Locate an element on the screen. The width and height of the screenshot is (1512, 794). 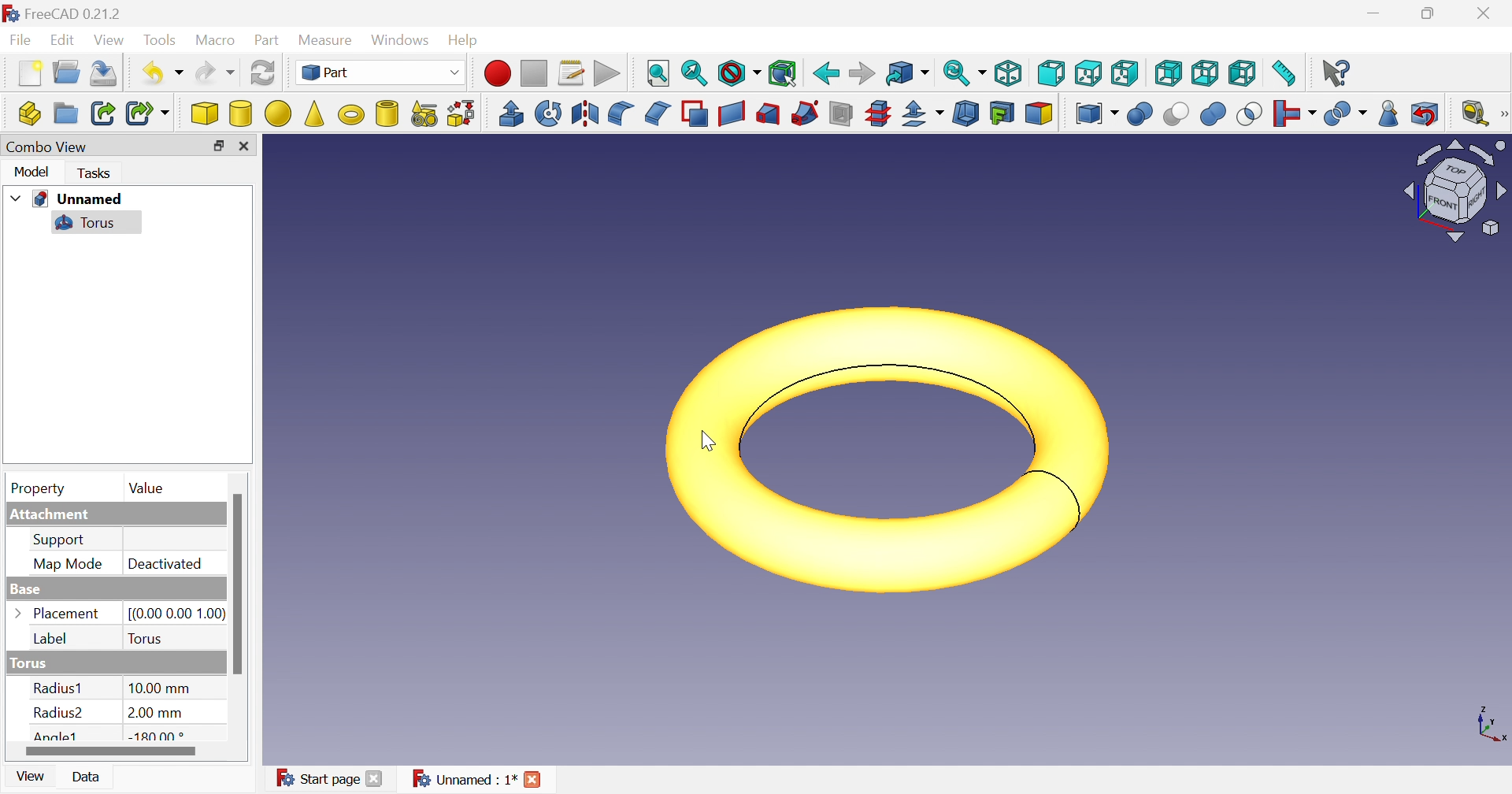
Split objects is located at coordinates (1344, 114).